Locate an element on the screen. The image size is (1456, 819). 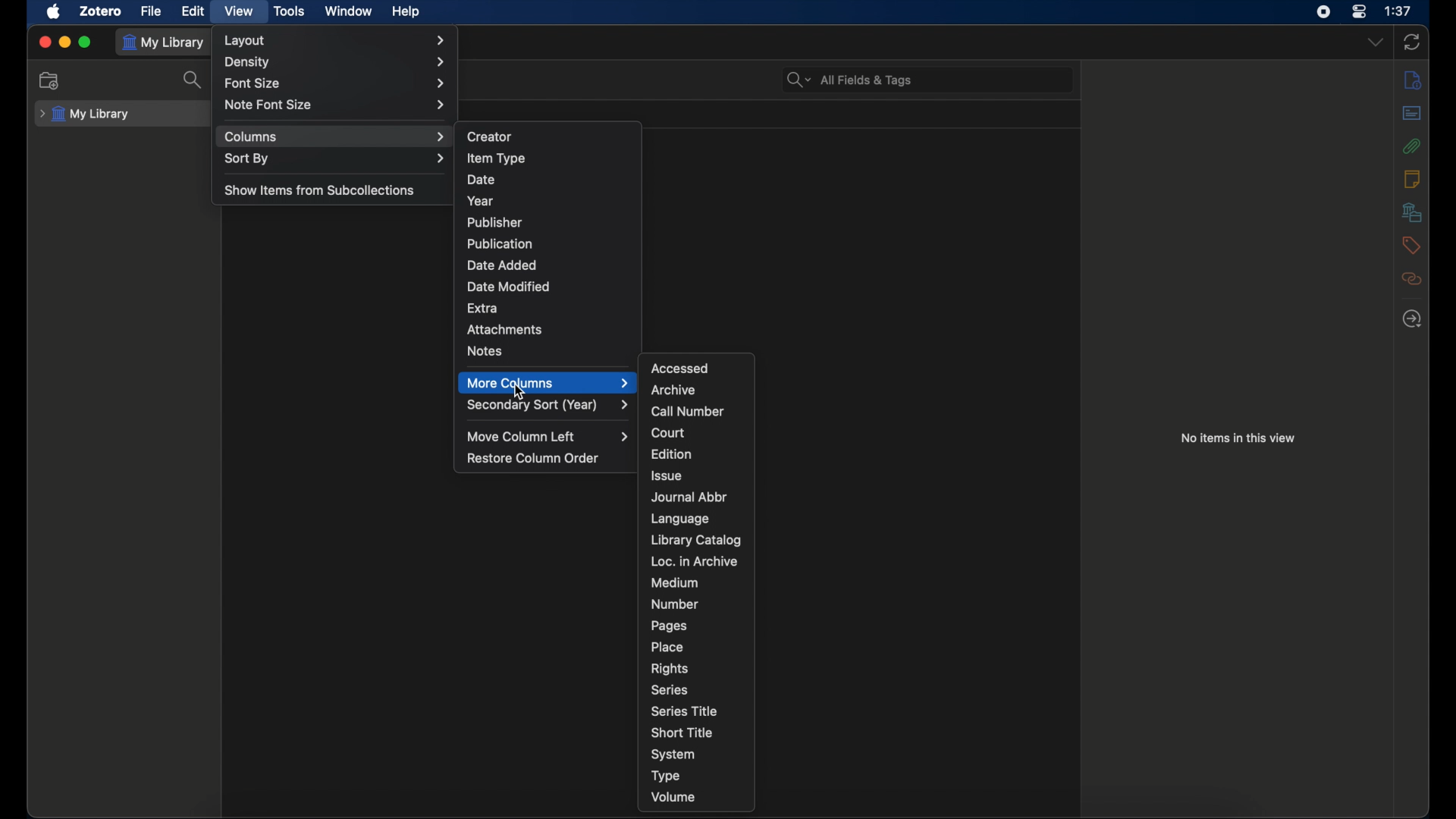
window is located at coordinates (348, 11).